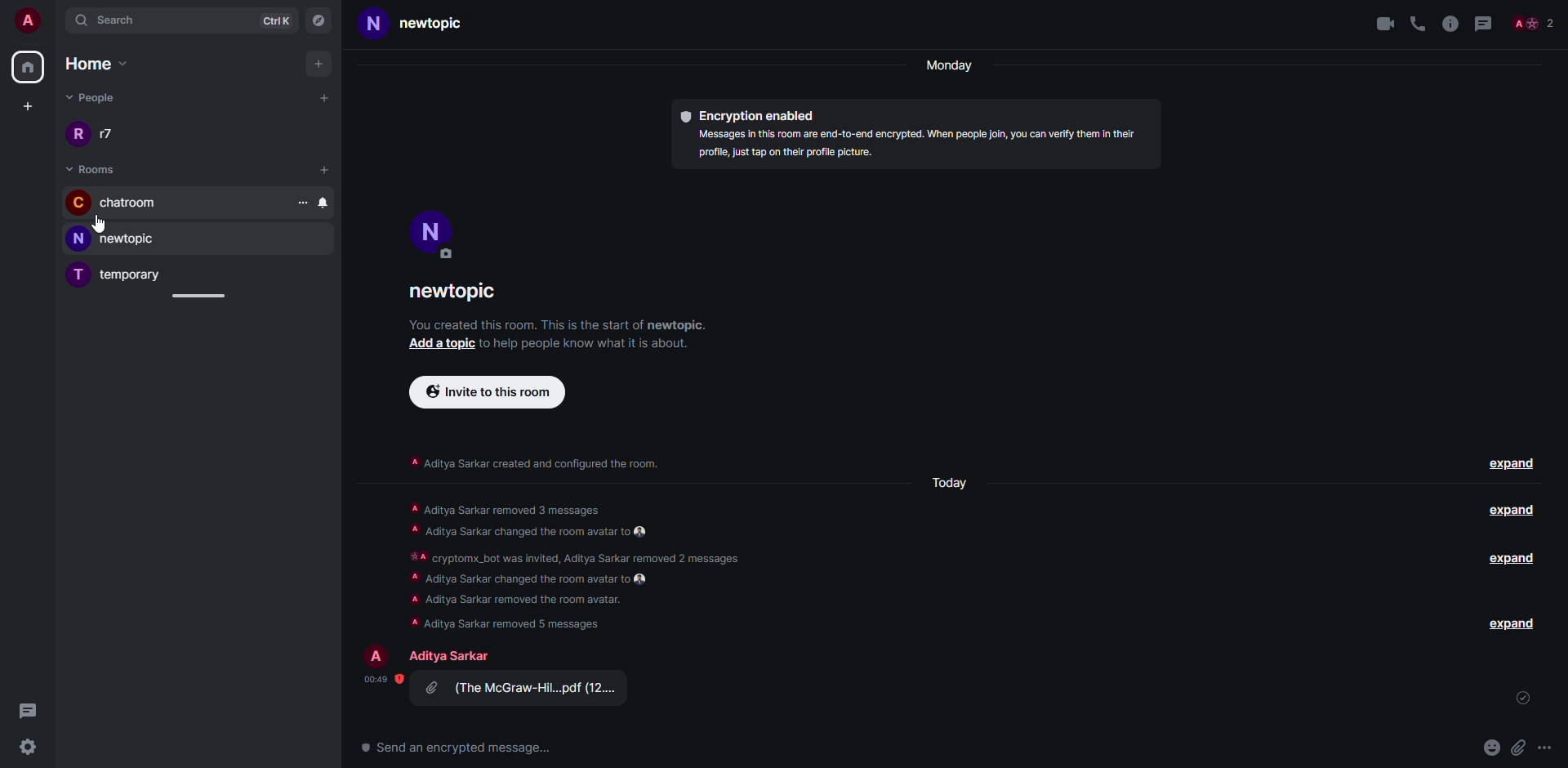 The width and height of the screenshot is (1568, 768). Describe the element at coordinates (29, 66) in the screenshot. I see `home` at that location.